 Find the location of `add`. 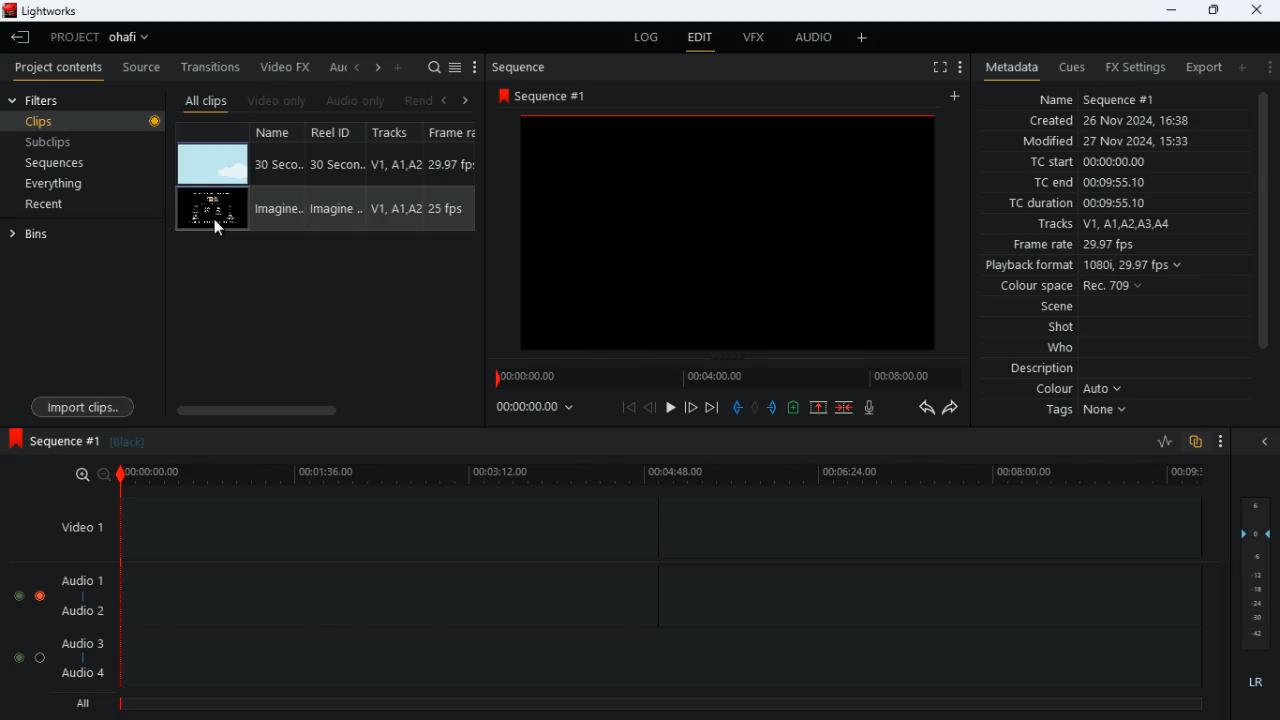

add is located at coordinates (863, 39).